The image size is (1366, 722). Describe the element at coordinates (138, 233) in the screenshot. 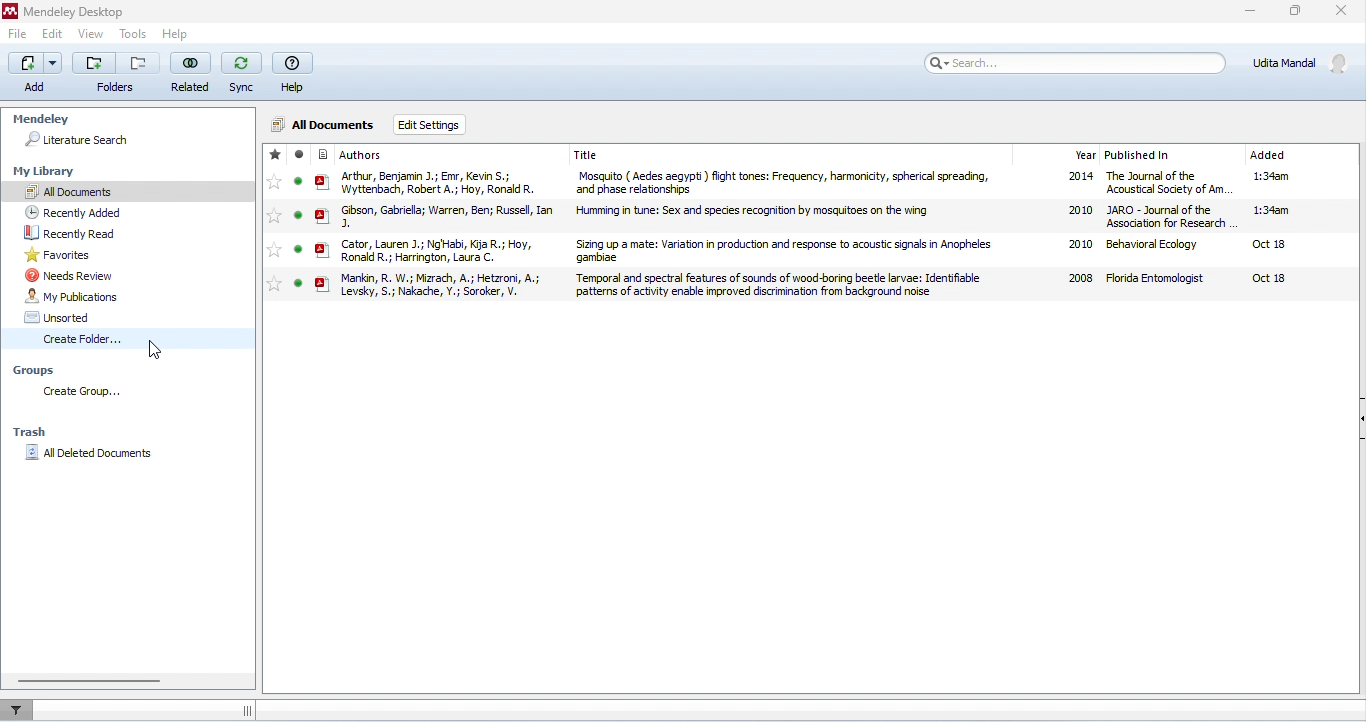

I see `recently read` at that location.